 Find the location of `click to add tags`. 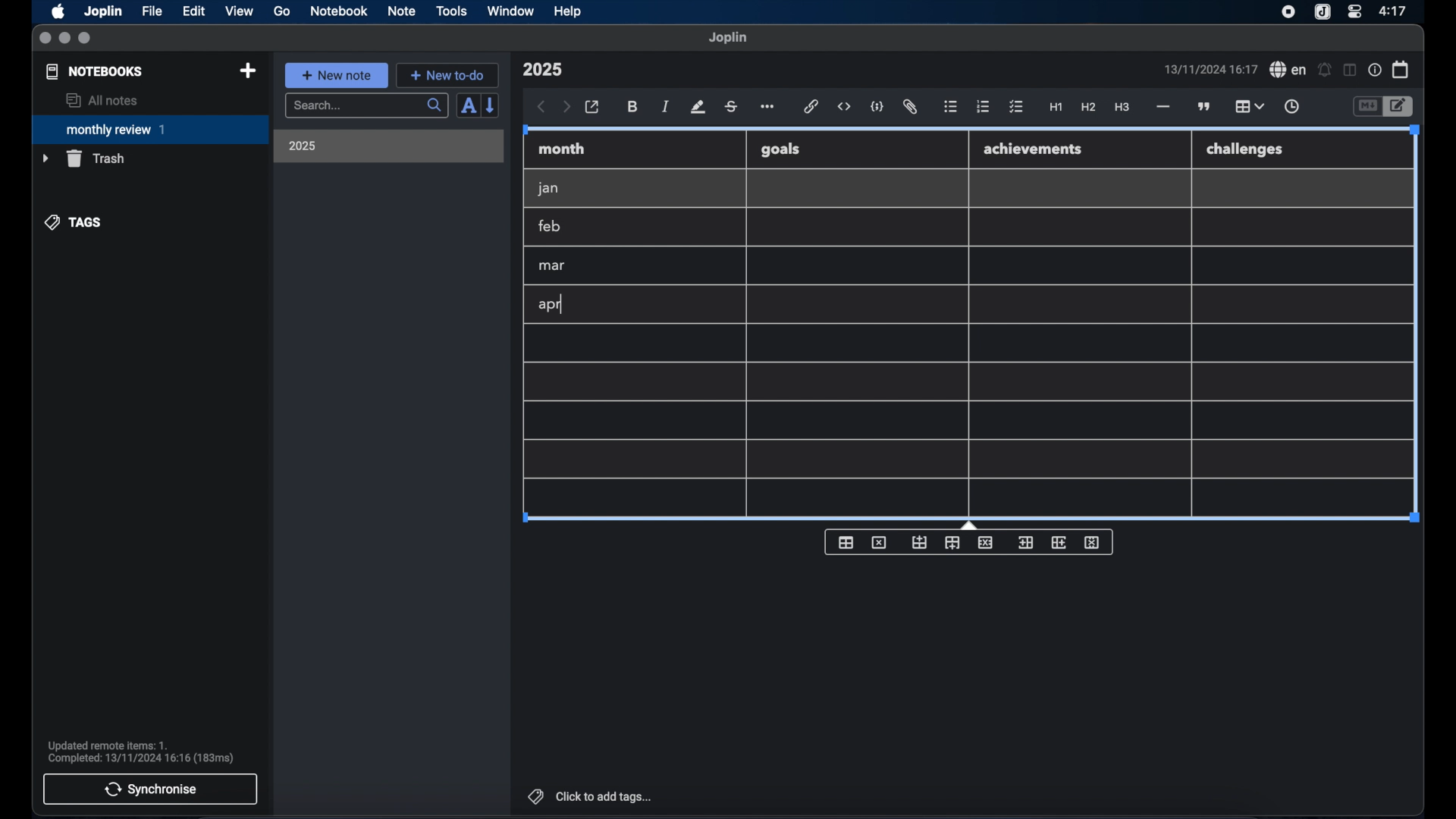

click to add tags is located at coordinates (591, 796).